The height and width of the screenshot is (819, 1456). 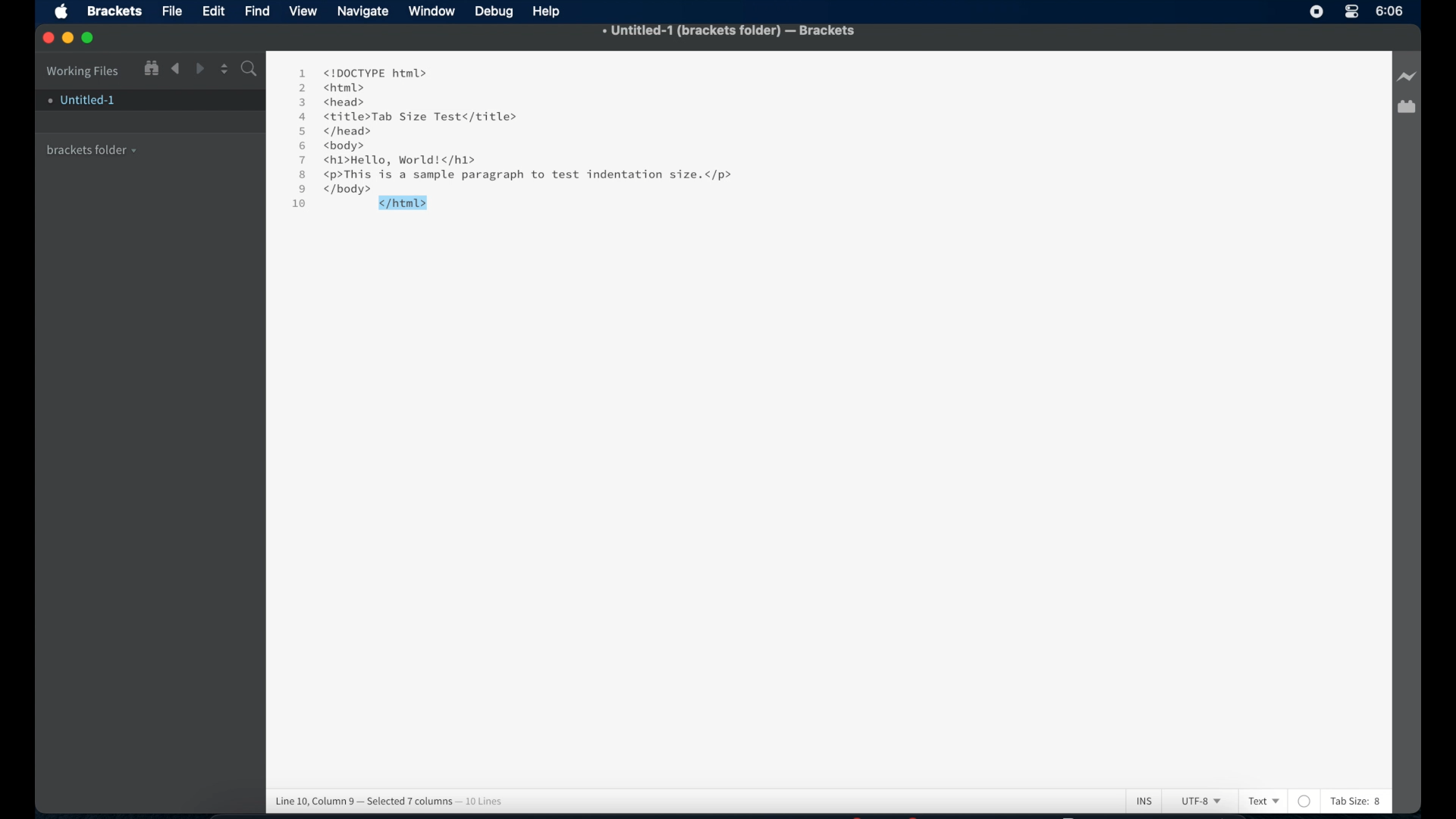 I want to click on Edit, so click(x=216, y=11).